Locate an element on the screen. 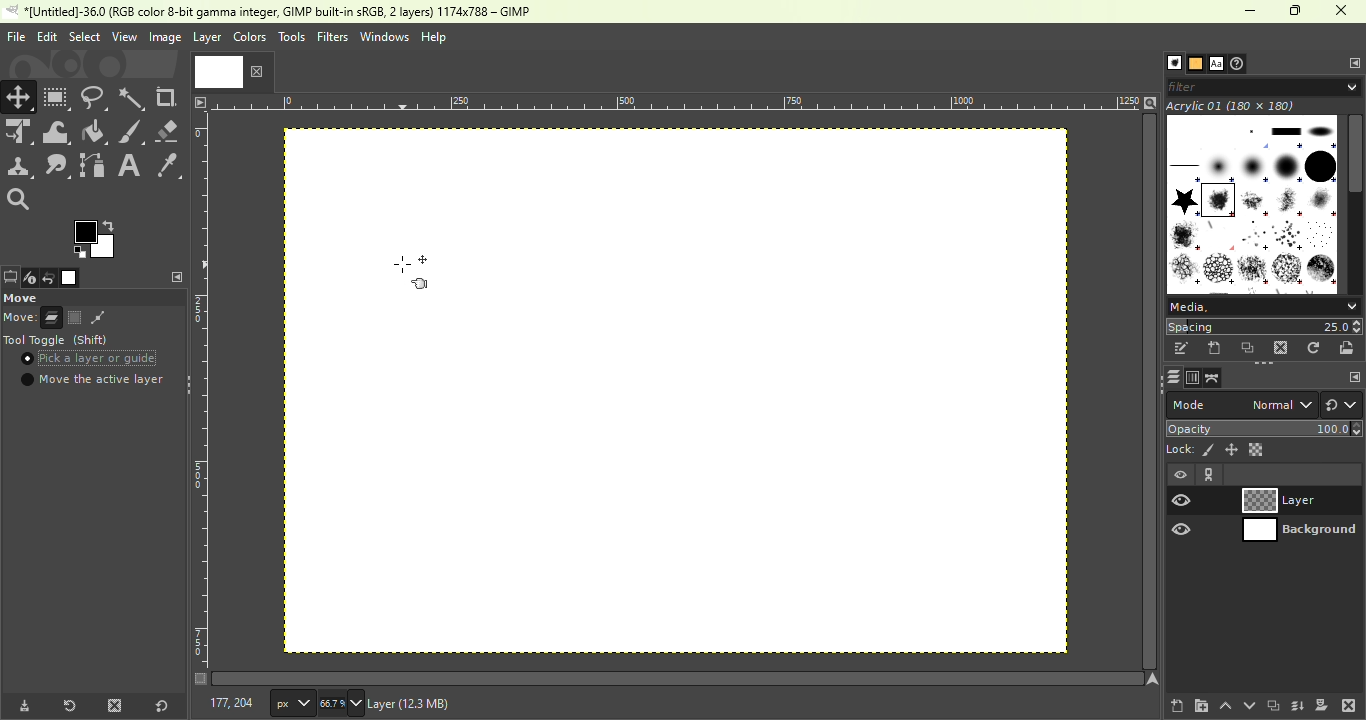 The image size is (1366, 720). Lock position and size is located at coordinates (1231, 450).